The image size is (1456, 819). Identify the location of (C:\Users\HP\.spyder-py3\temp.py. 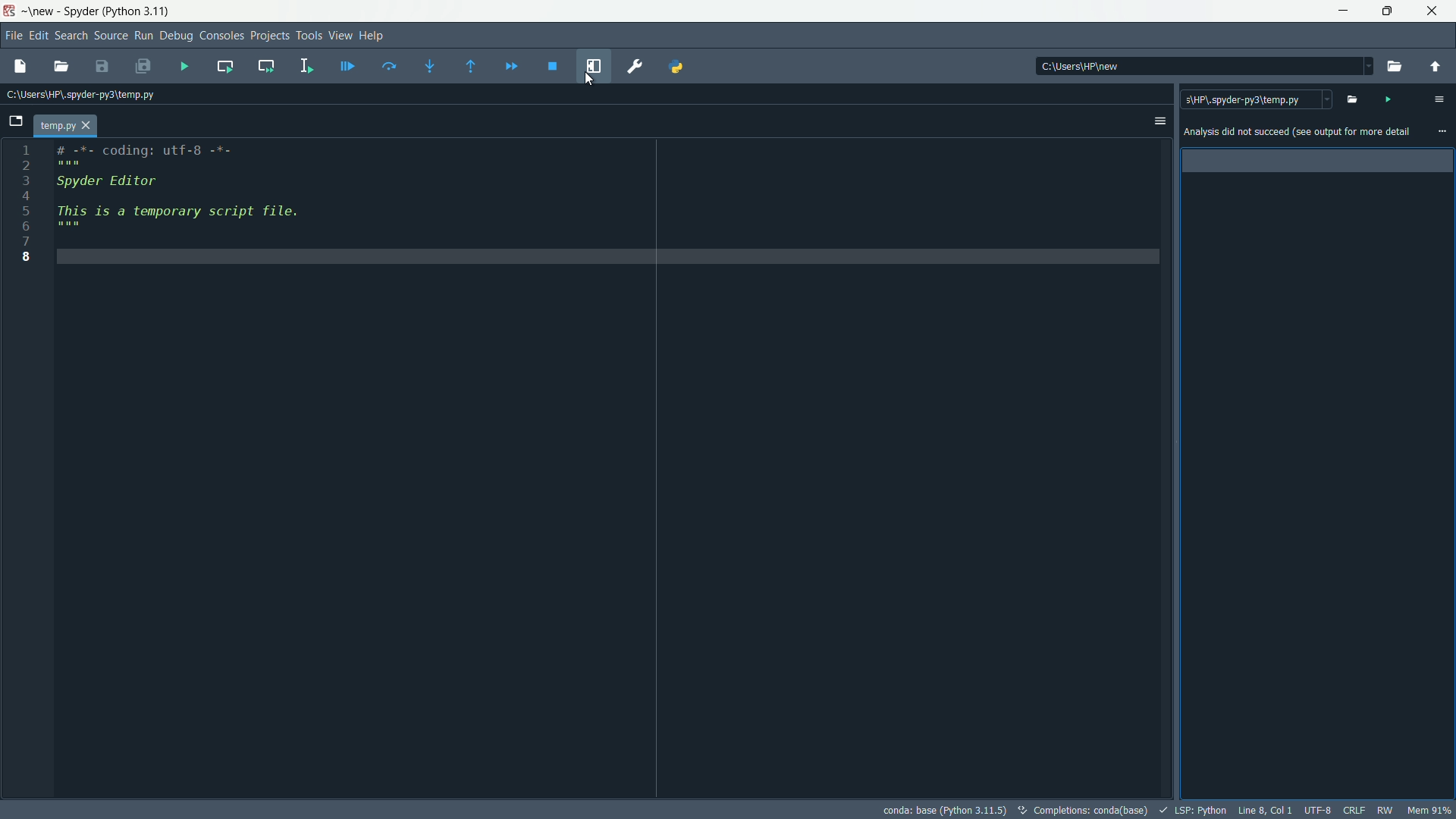
(86, 96).